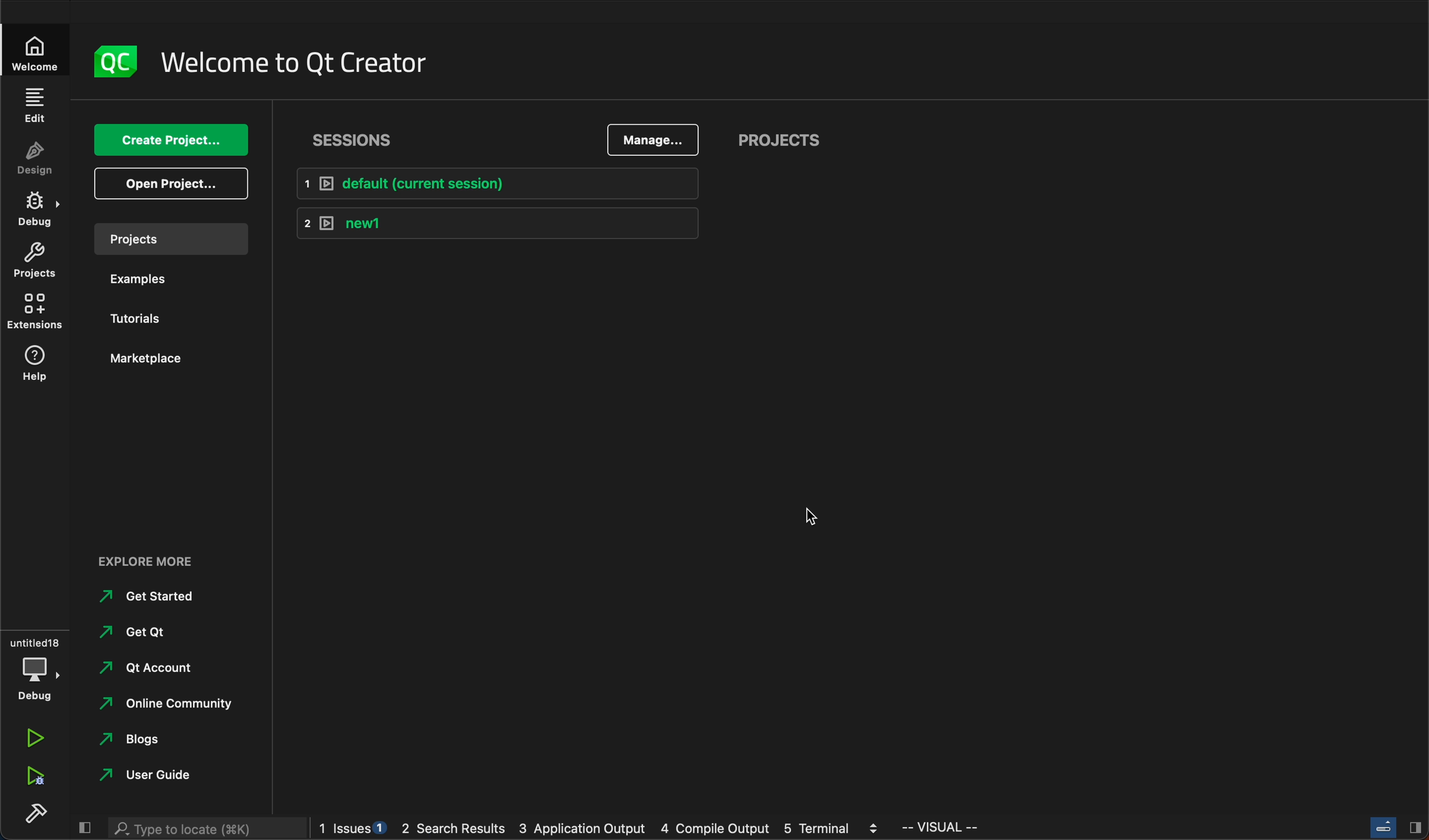 Image resolution: width=1429 pixels, height=840 pixels. Describe the element at coordinates (152, 360) in the screenshot. I see `marketplace` at that location.